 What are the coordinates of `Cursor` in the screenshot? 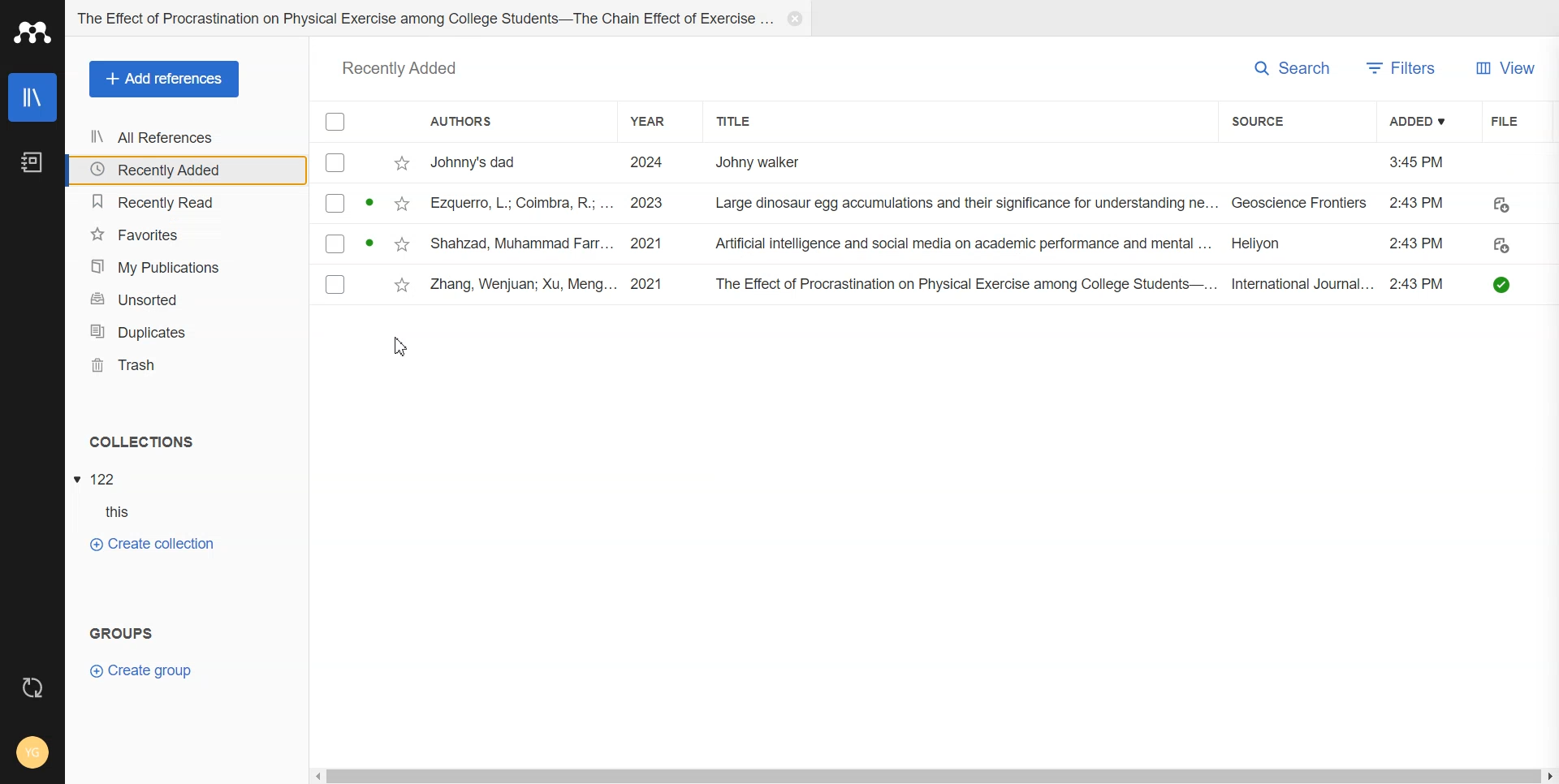 It's located at (399, 346).